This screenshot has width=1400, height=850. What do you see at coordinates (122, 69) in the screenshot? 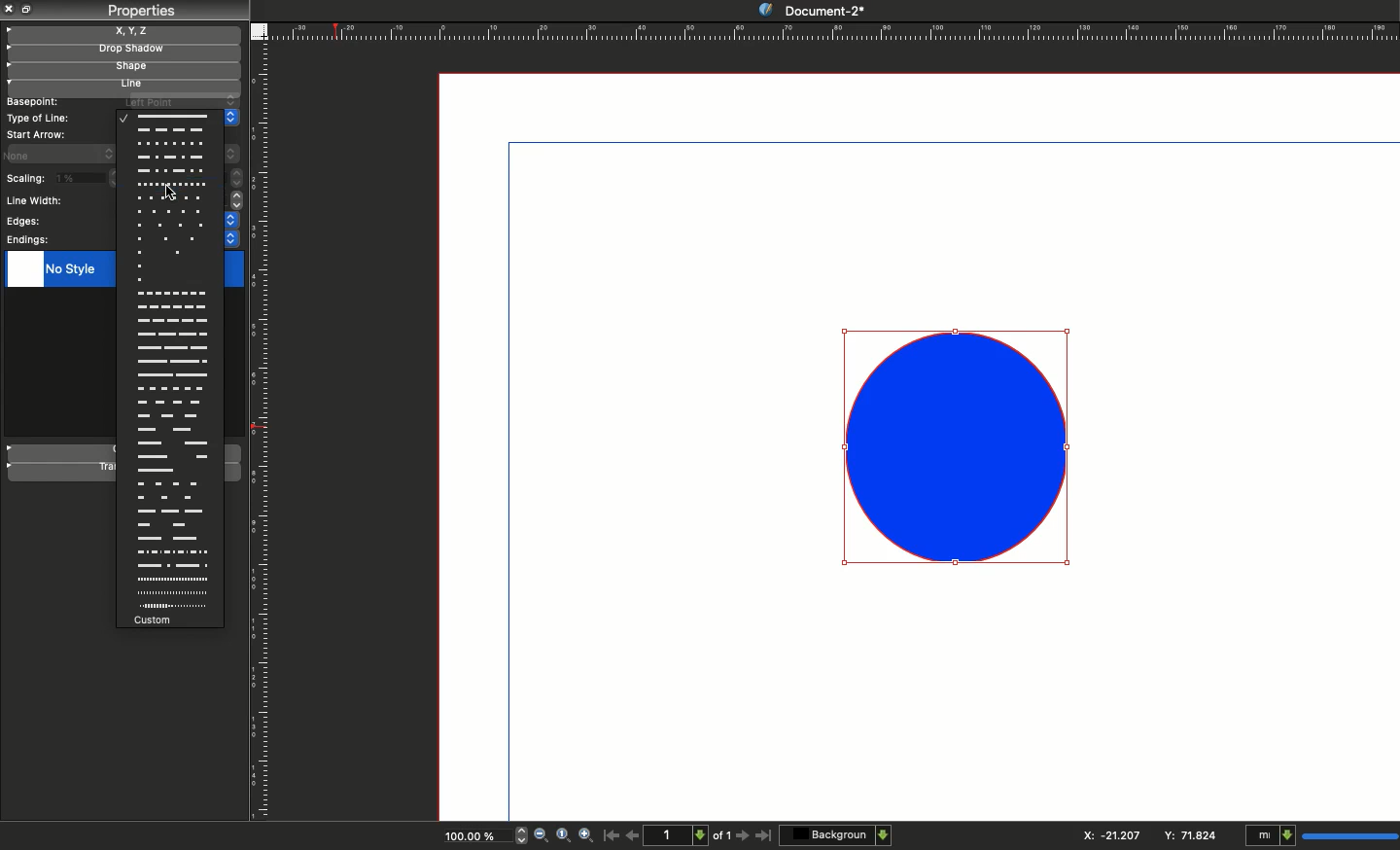
I see `Shape` at bounding box center [122, 69].